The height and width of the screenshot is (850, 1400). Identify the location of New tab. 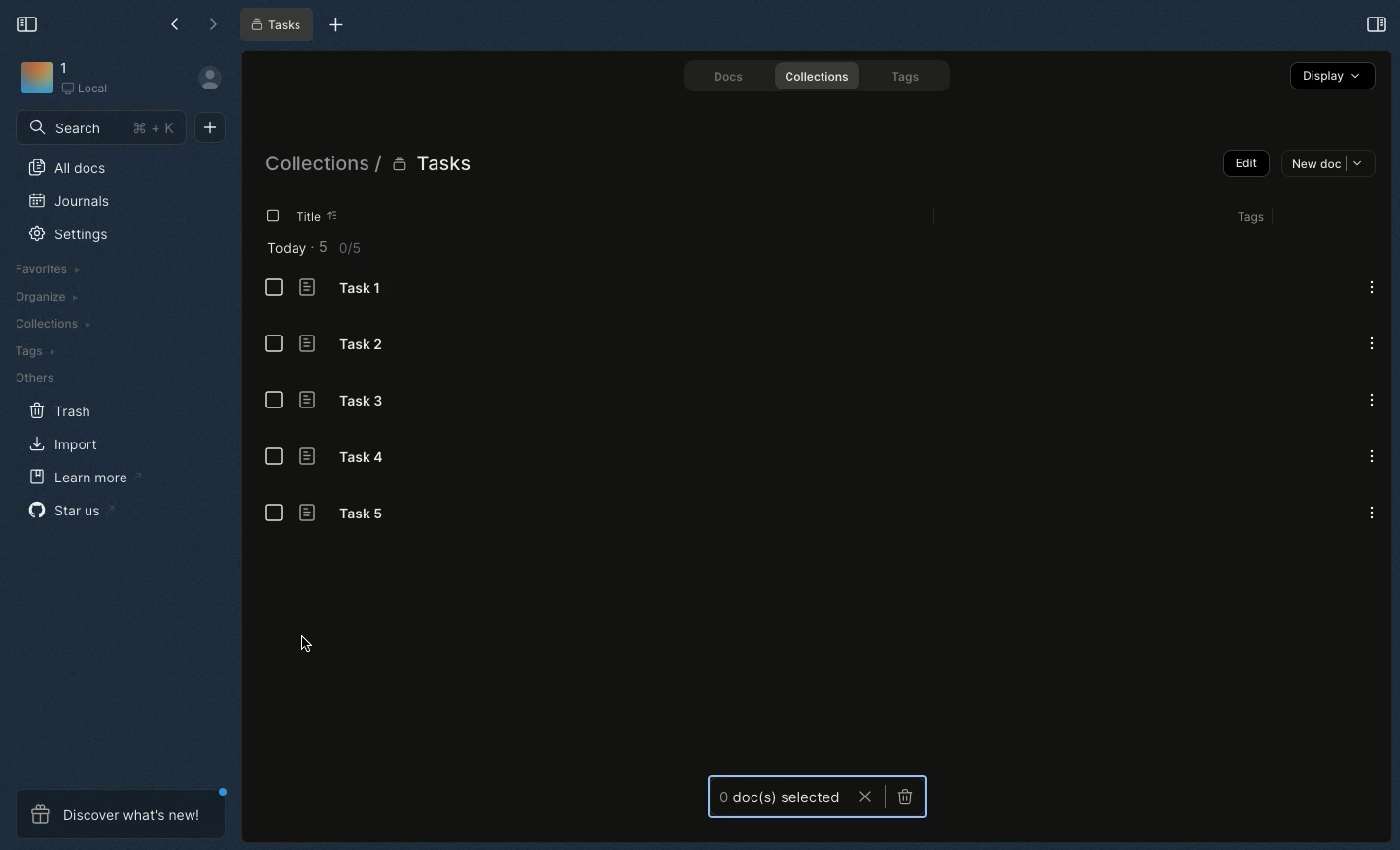
(336, 26).